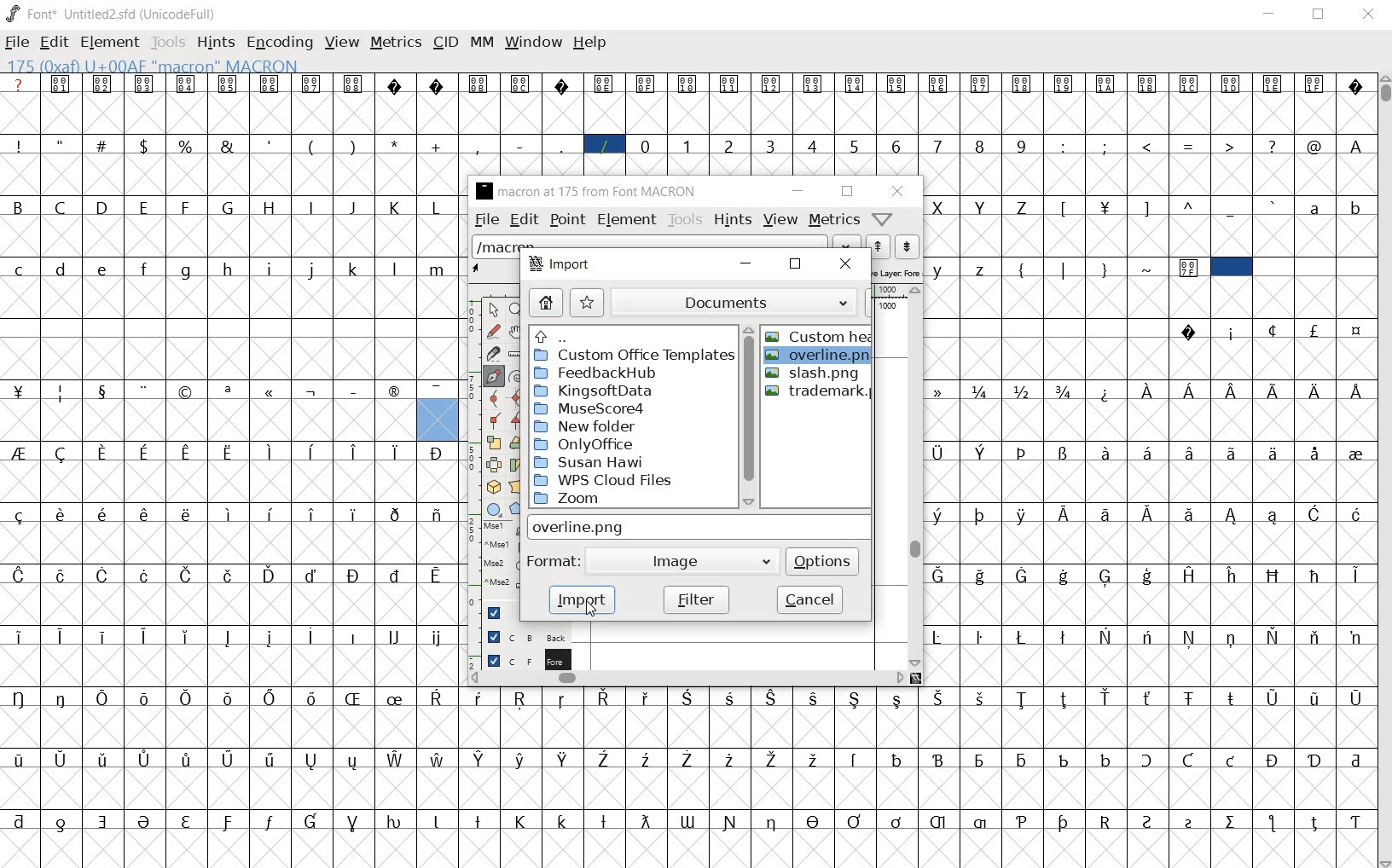 Image resolution: width=1392 pixels, height=868 pixels. What do you see at coordinates (312, 635) in the screenshot?
I see `Symbol` at bounding box center [312, 635].